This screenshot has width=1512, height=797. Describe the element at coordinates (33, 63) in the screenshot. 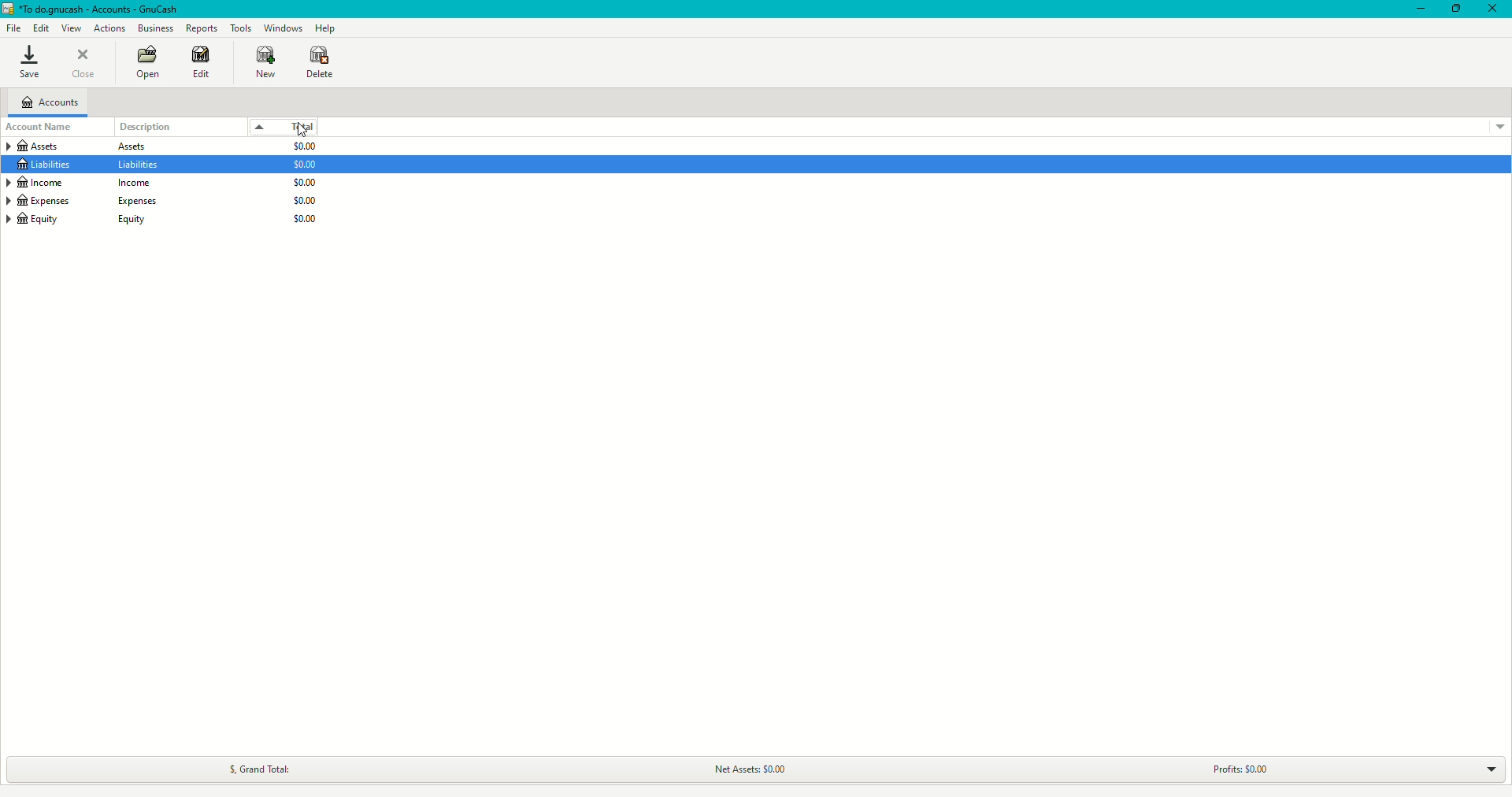

I see `Save` at that location.